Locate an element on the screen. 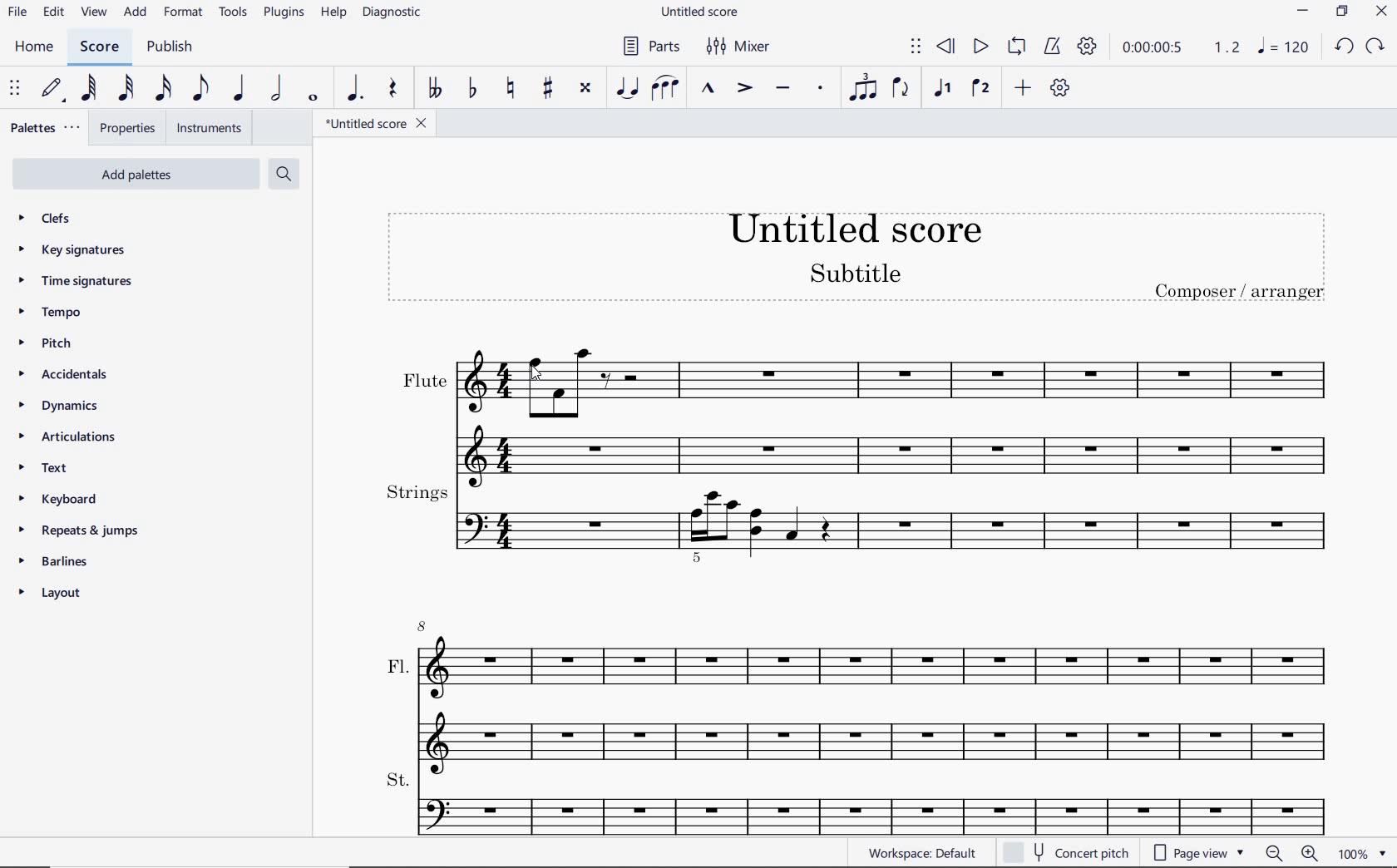 This screenshot has height=868, width=1397. undo is located at coordinates (1345, 47).